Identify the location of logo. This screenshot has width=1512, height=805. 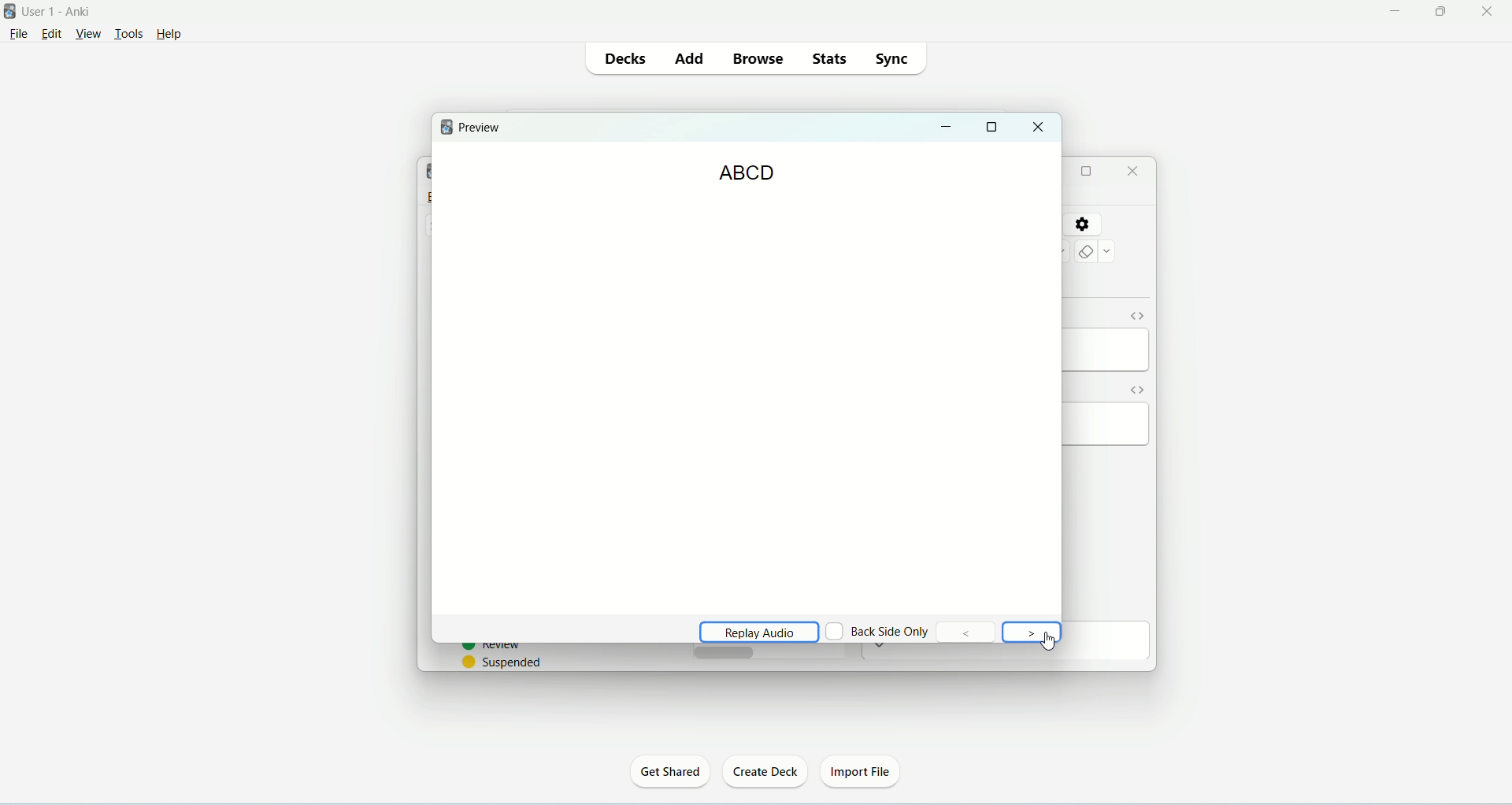
(448, 126).